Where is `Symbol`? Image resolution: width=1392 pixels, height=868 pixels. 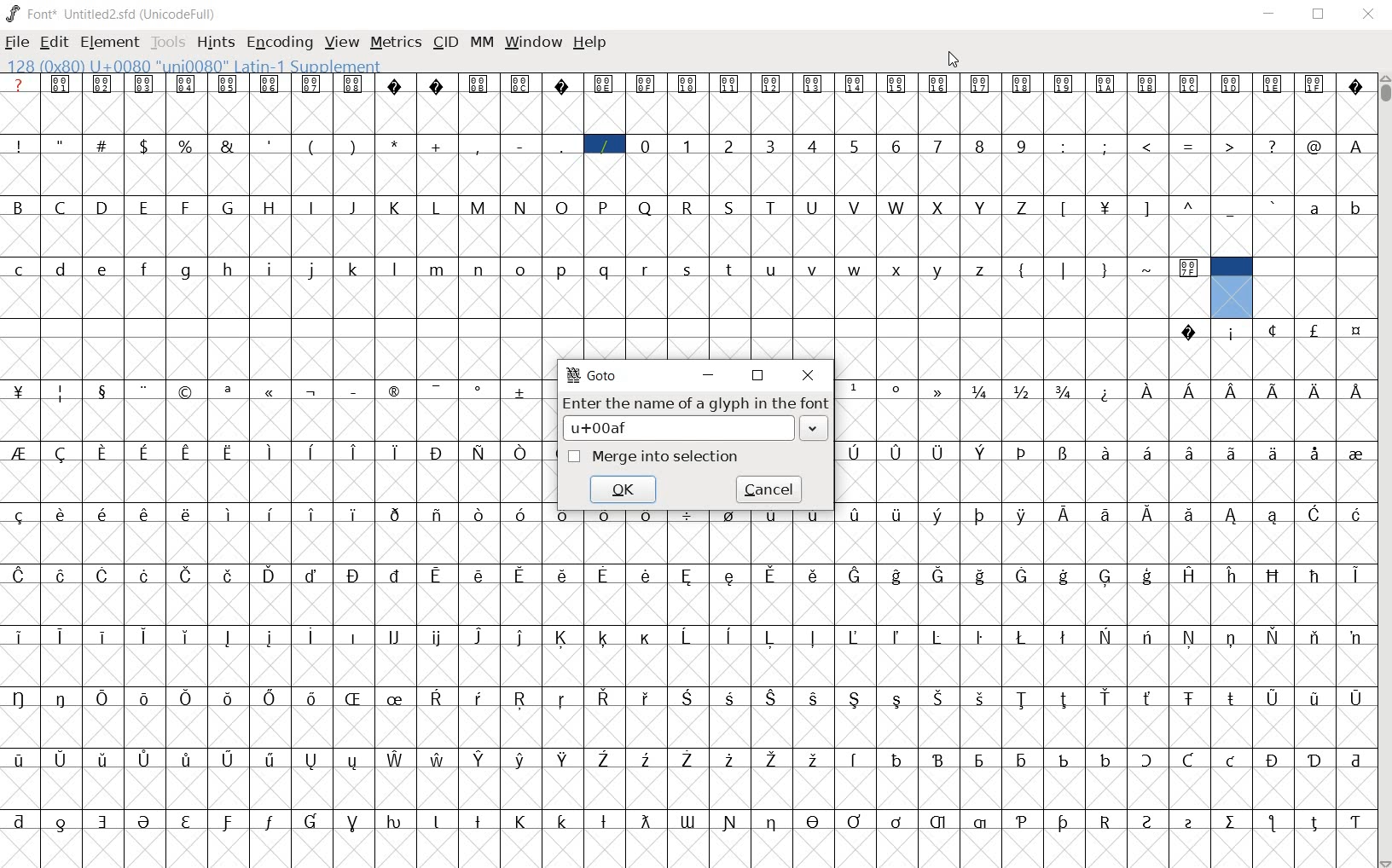
Symbol is located at coordinates (1354, 576).